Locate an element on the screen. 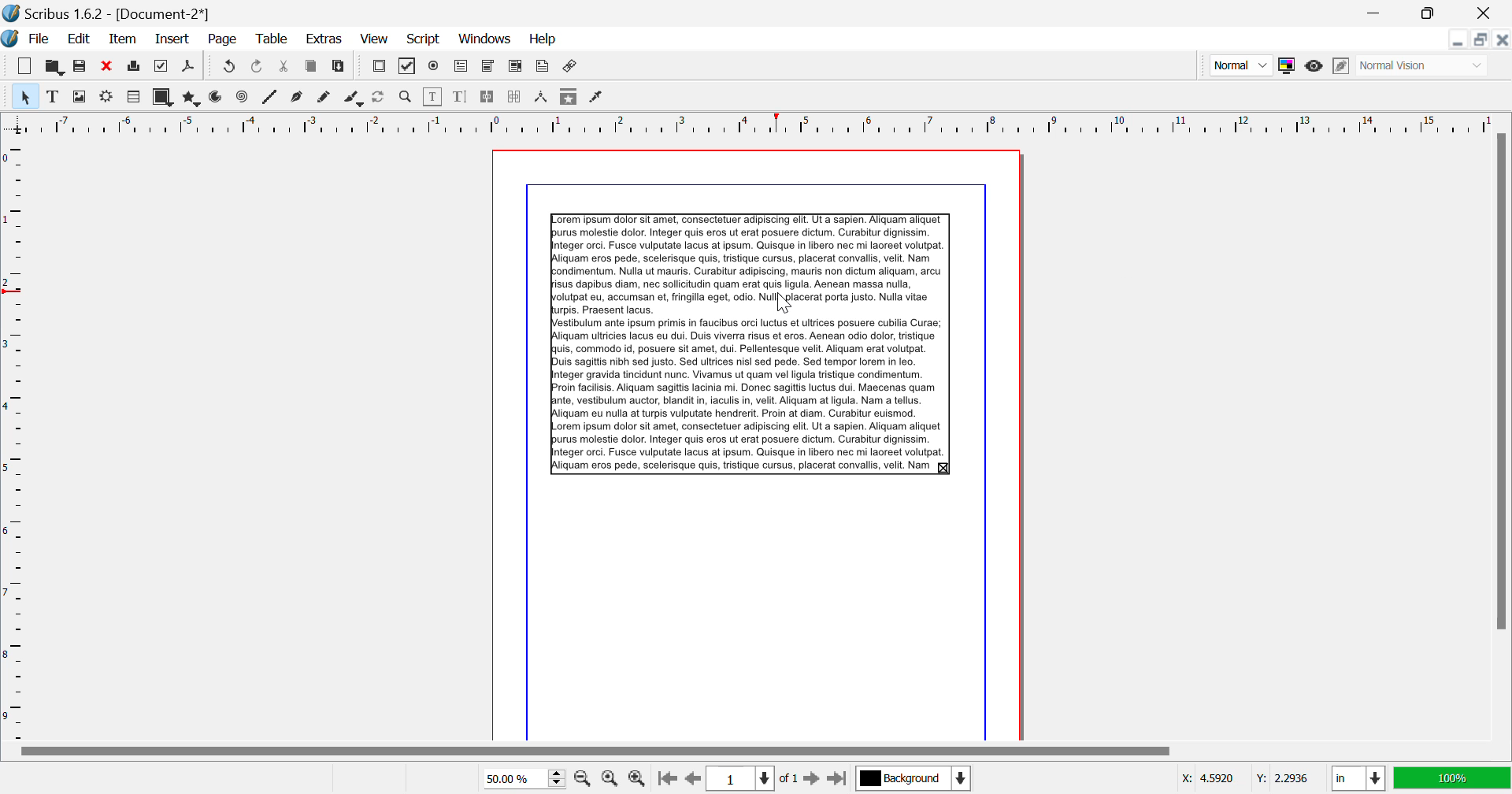 The width and height of the screenshot is (1512, 794). New is located at coordinates (25, 66).